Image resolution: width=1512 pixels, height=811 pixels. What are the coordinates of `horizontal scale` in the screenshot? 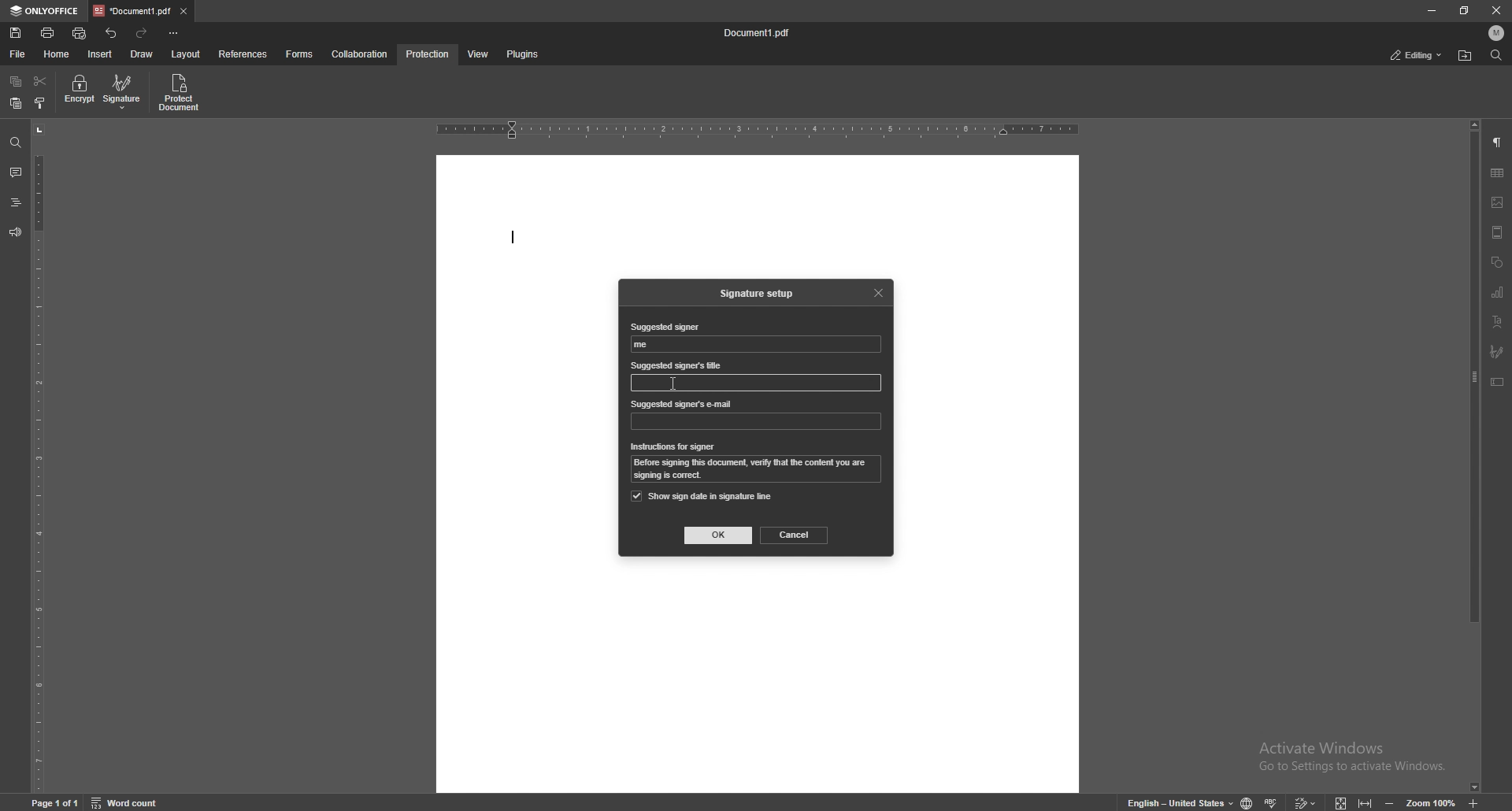 It's located at (758, 131).